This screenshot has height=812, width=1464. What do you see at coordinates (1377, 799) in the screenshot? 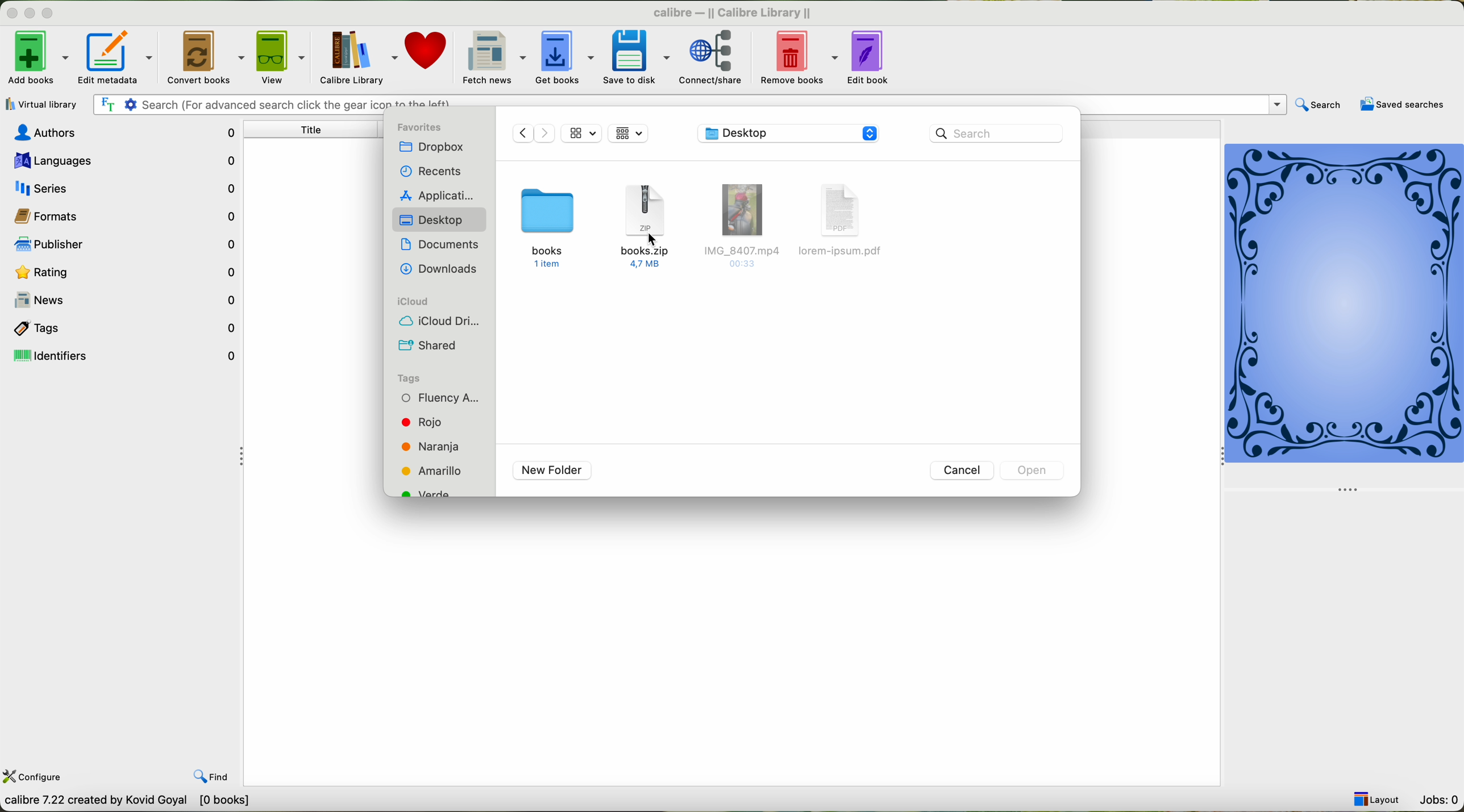
I see `layout` at bounding box center [1377, 799].